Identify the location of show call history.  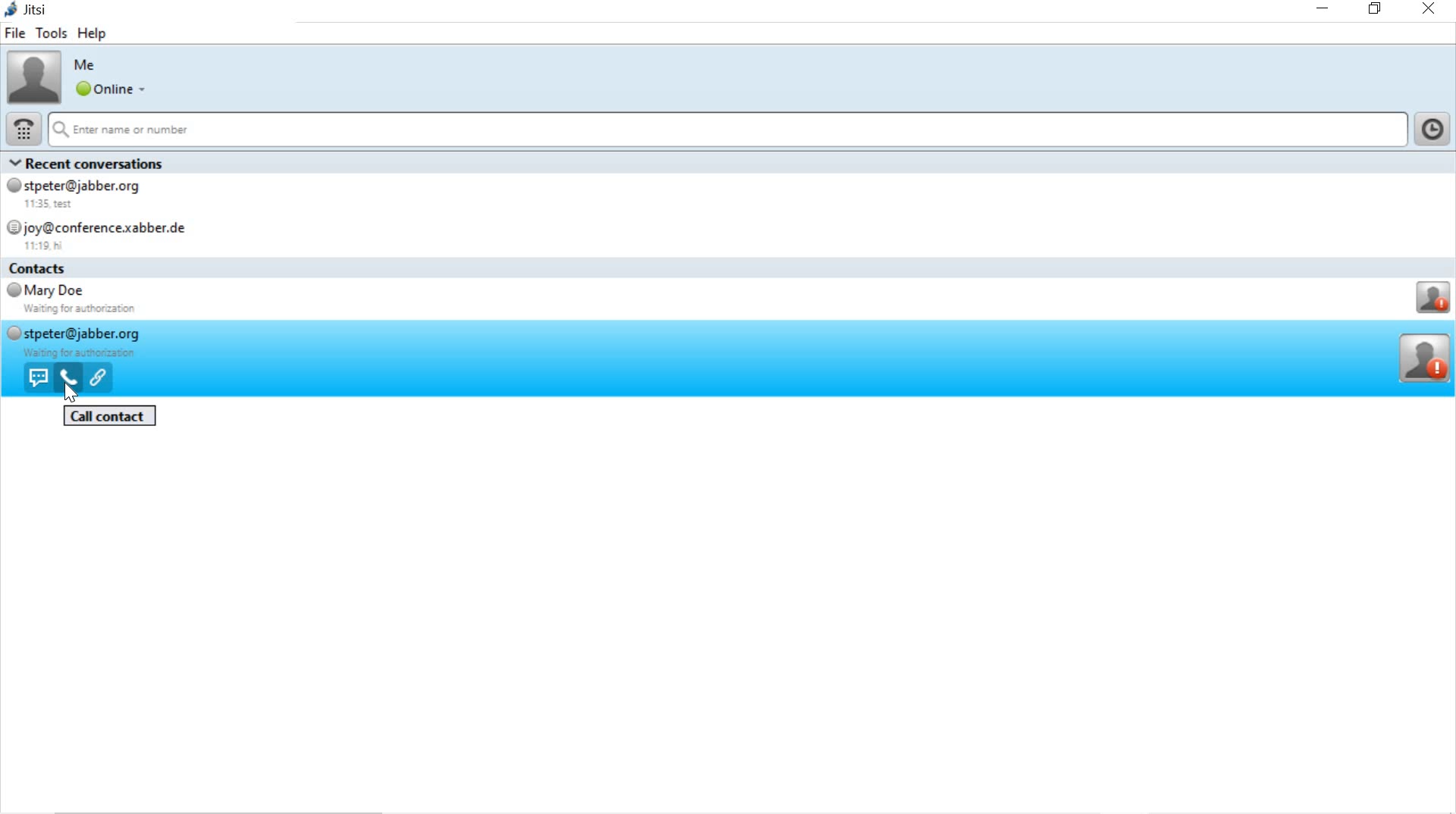
(1434, 128).